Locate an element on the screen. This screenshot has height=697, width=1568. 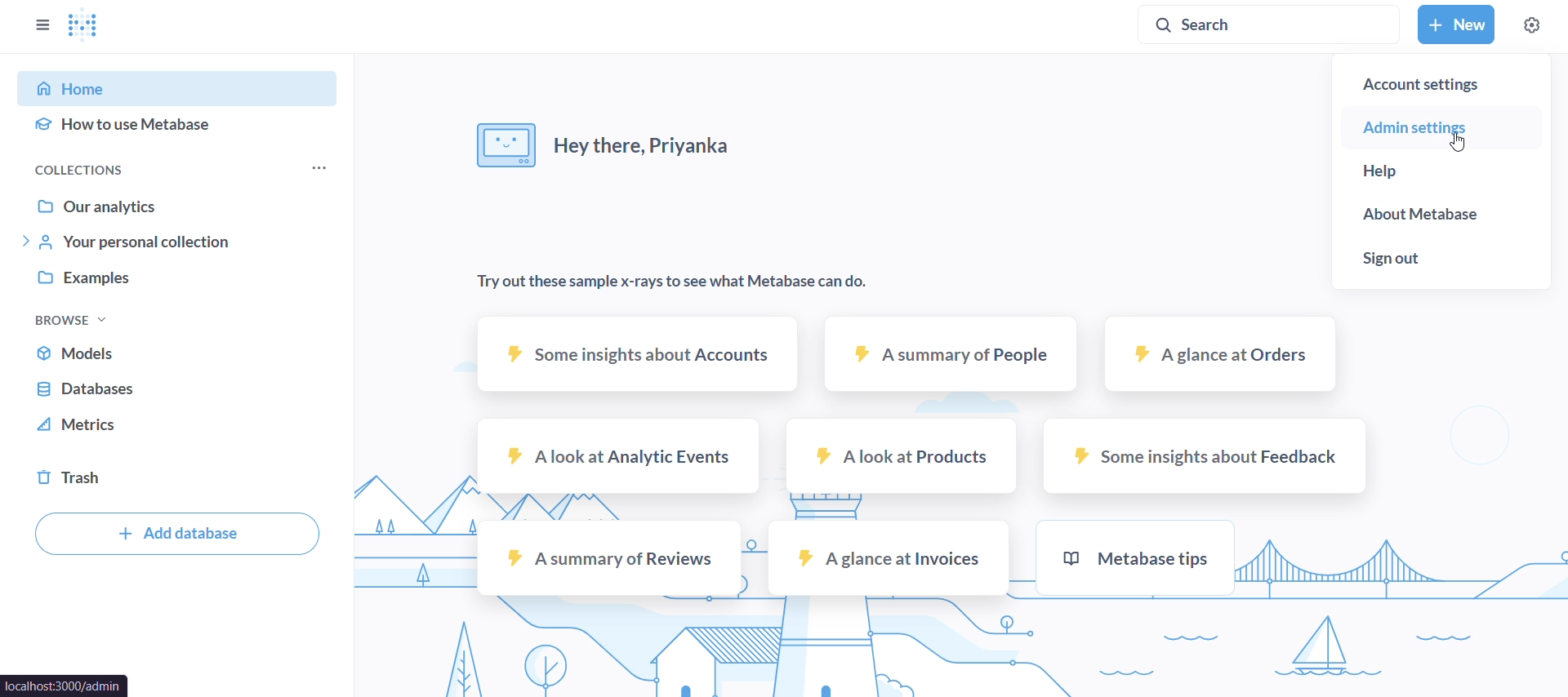
a glance at invoice is located at coordinates (888, 557).